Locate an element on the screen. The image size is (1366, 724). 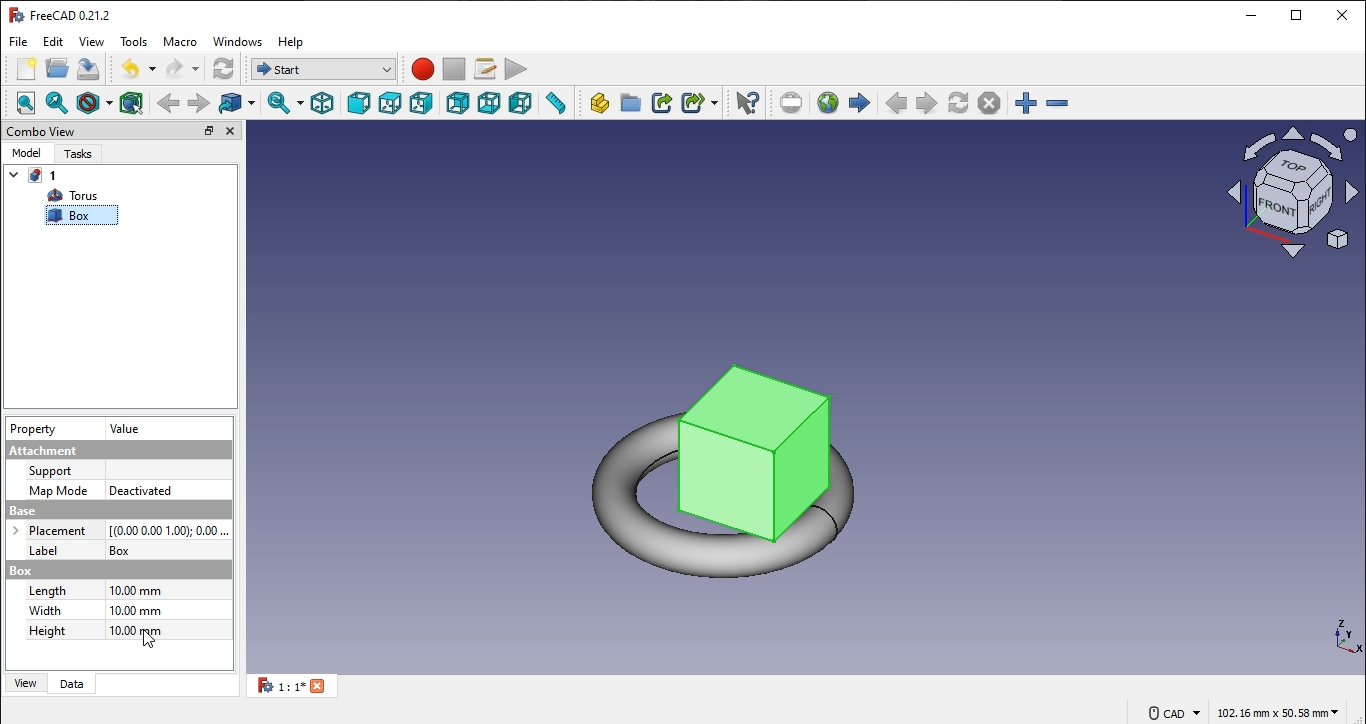
1 is located at coordinates (34, 176).